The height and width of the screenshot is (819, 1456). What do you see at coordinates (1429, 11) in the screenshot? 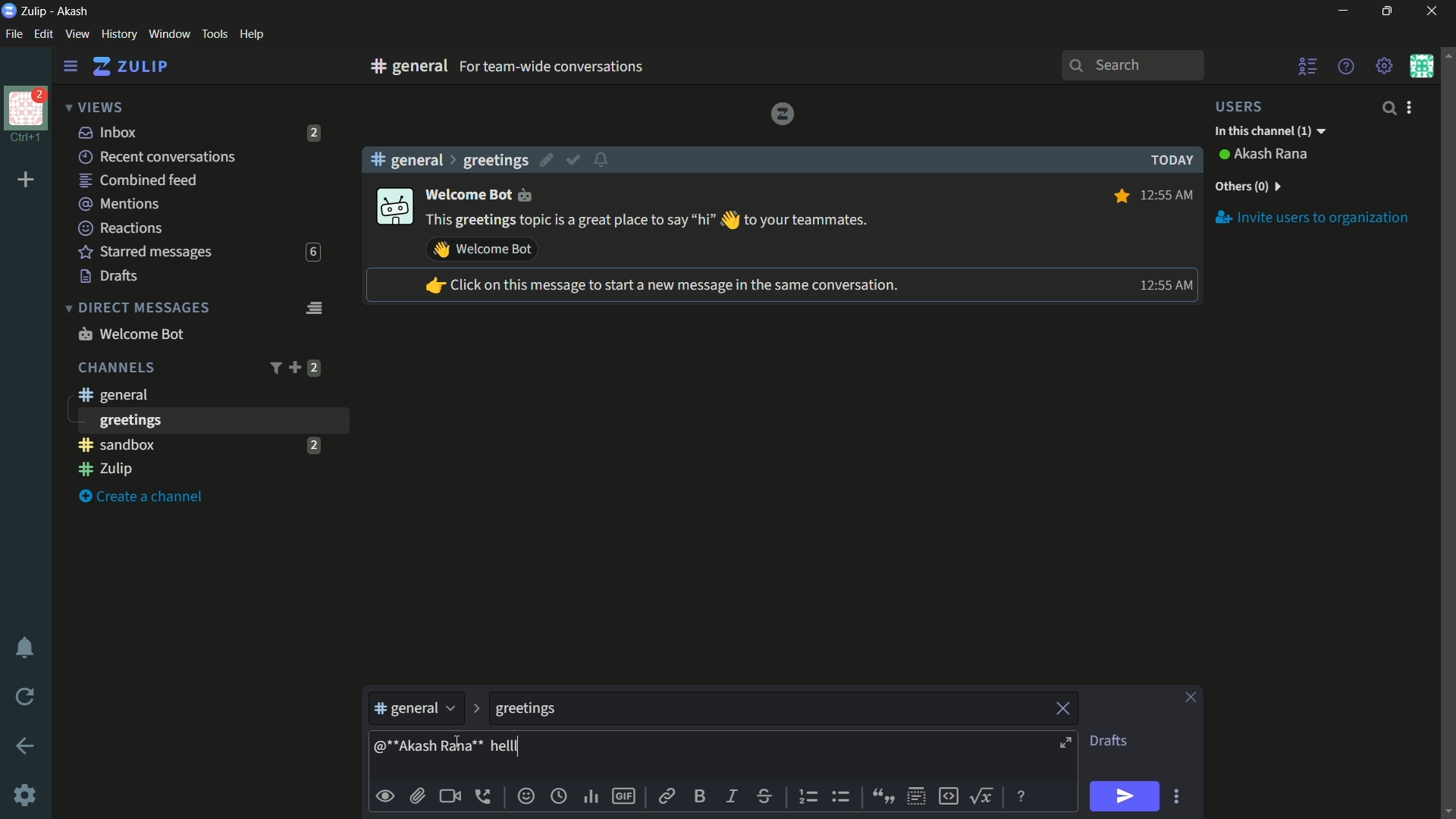
I see `close app` at bounding box center [1429, 11].